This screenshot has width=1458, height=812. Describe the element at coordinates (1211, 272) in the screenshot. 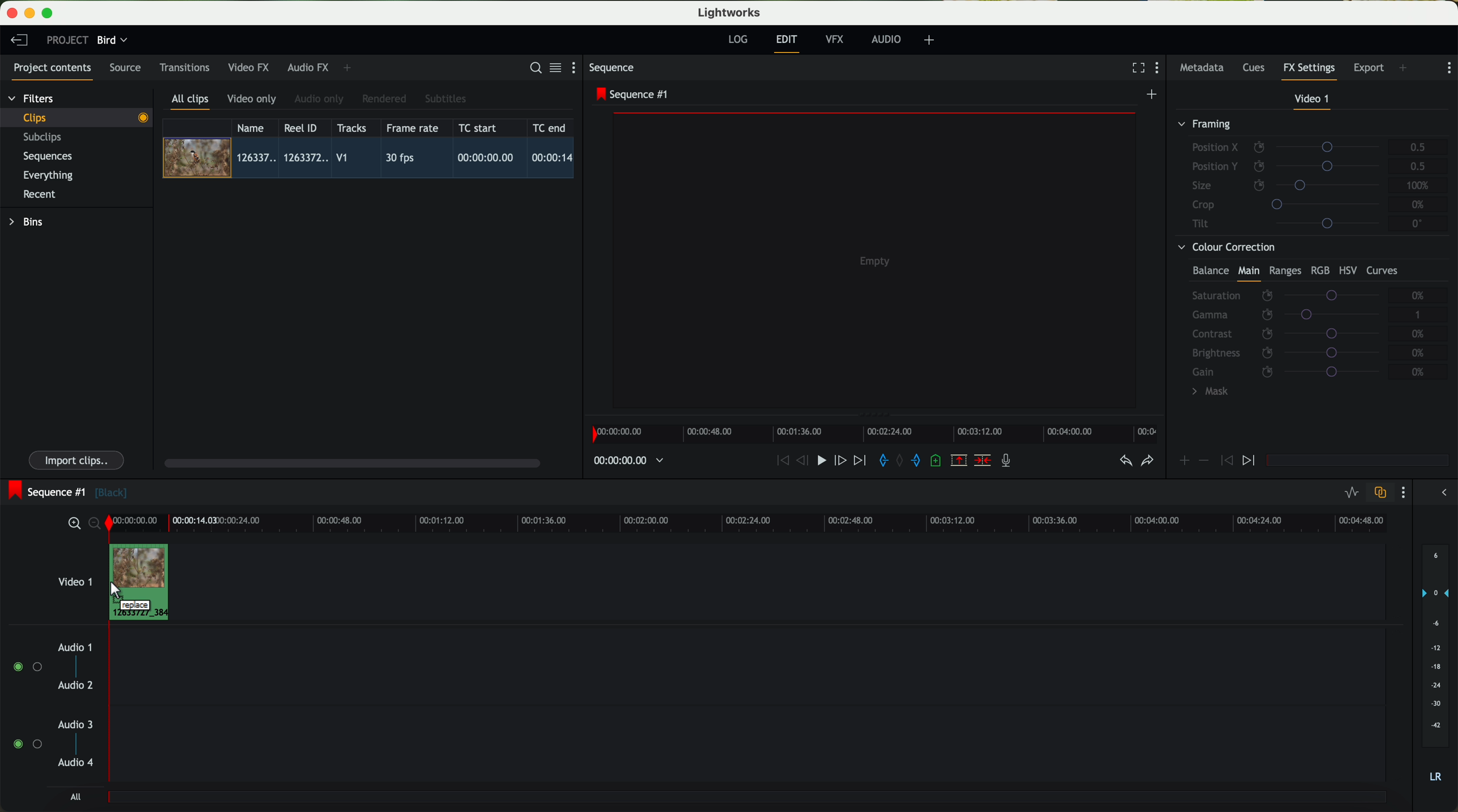

I see `balance` at that location.